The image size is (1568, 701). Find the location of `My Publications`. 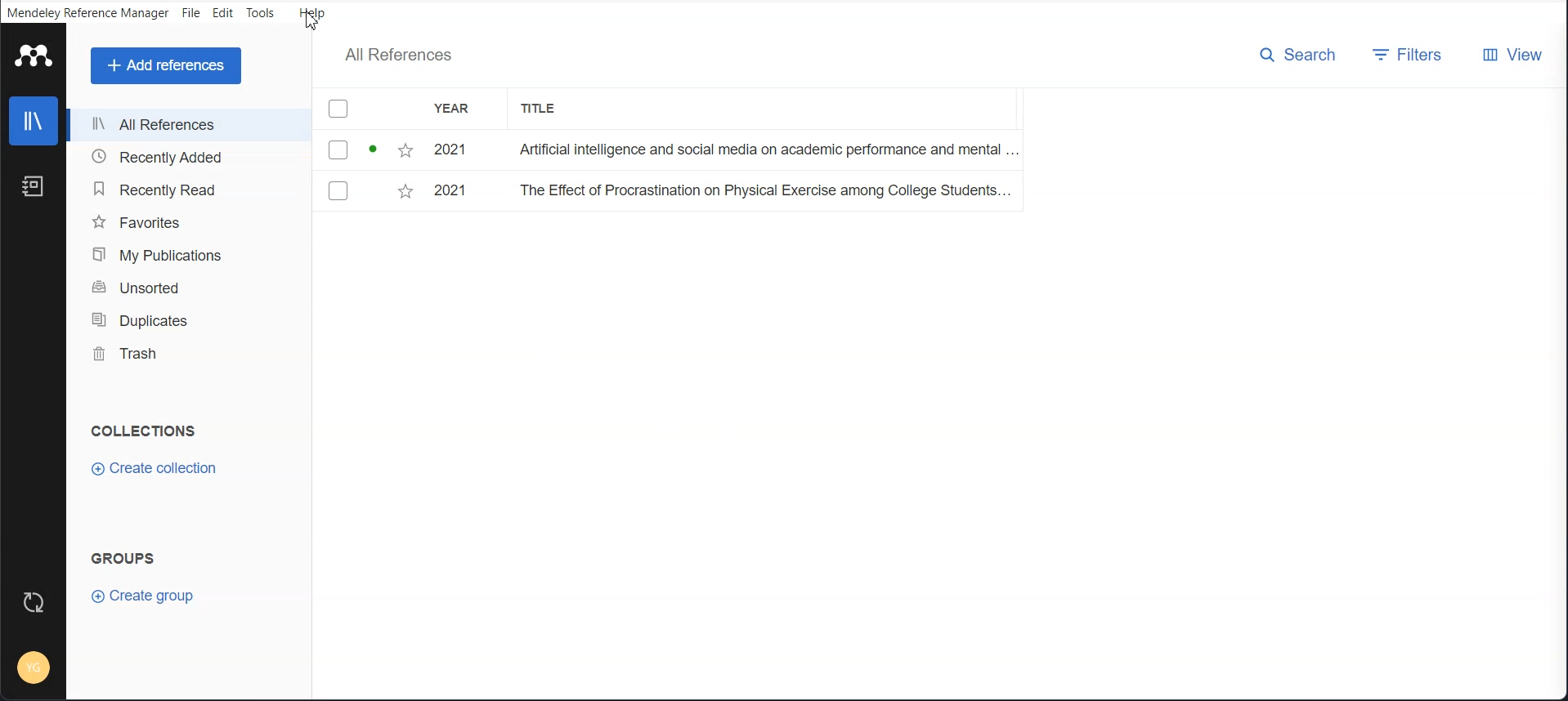

My Publications is located at coordinates (183, 254).